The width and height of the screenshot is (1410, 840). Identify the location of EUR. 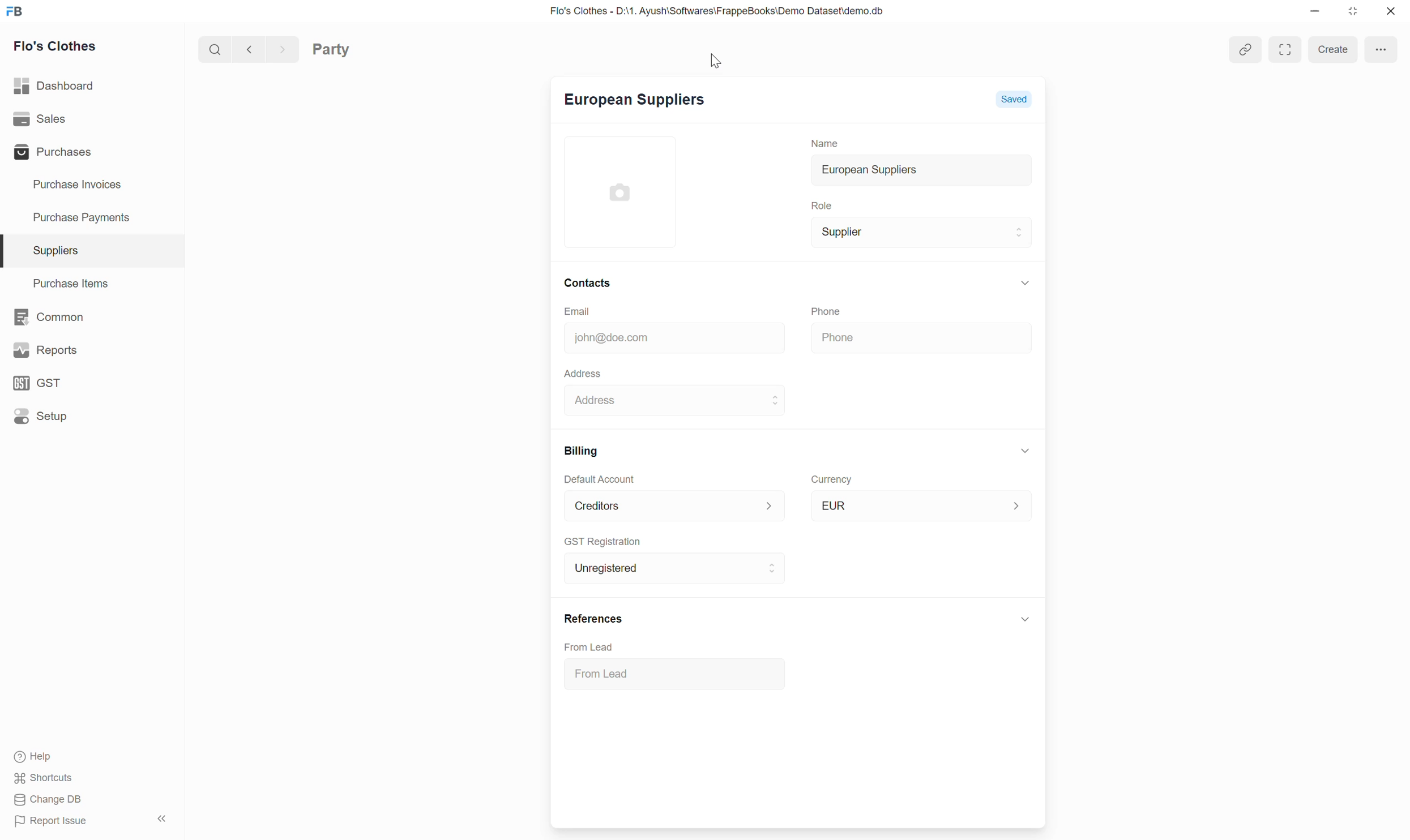
(834, 546).